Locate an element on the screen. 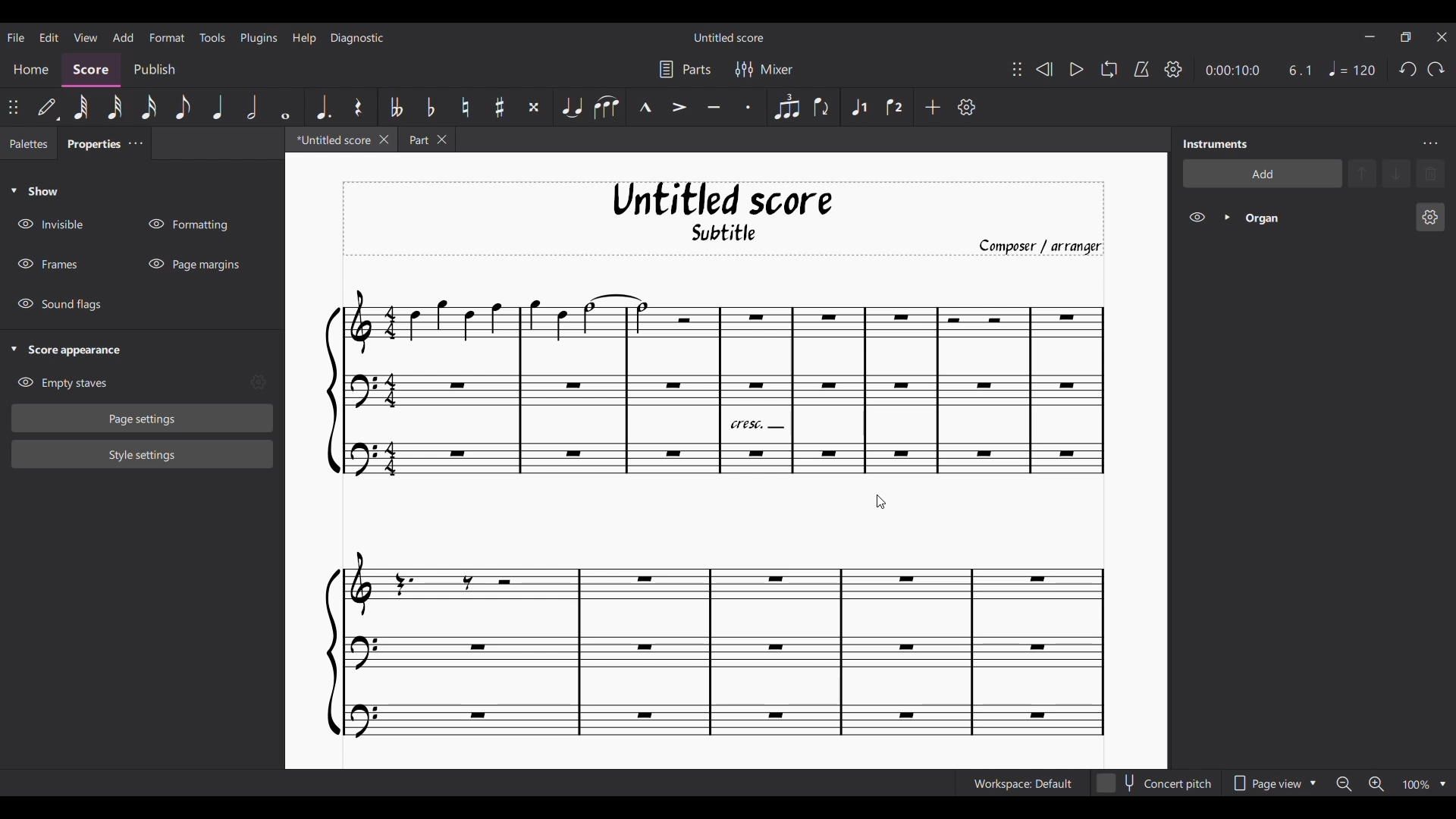 This screenshot has width=1456, height=819. Toggle nature is located at coordinates (464, 107).